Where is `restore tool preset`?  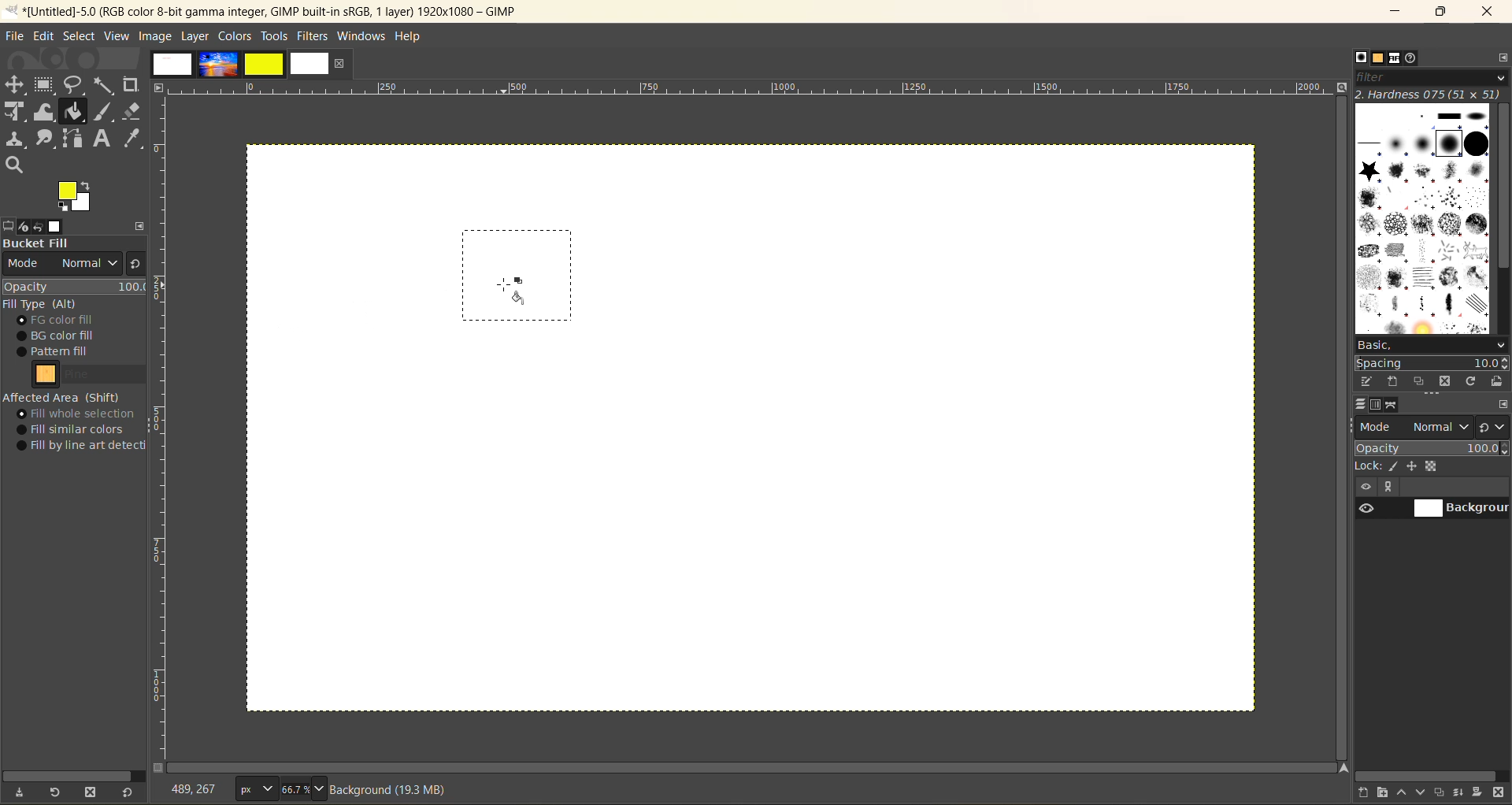 restore tool preset is located at coordinates (57, 793).